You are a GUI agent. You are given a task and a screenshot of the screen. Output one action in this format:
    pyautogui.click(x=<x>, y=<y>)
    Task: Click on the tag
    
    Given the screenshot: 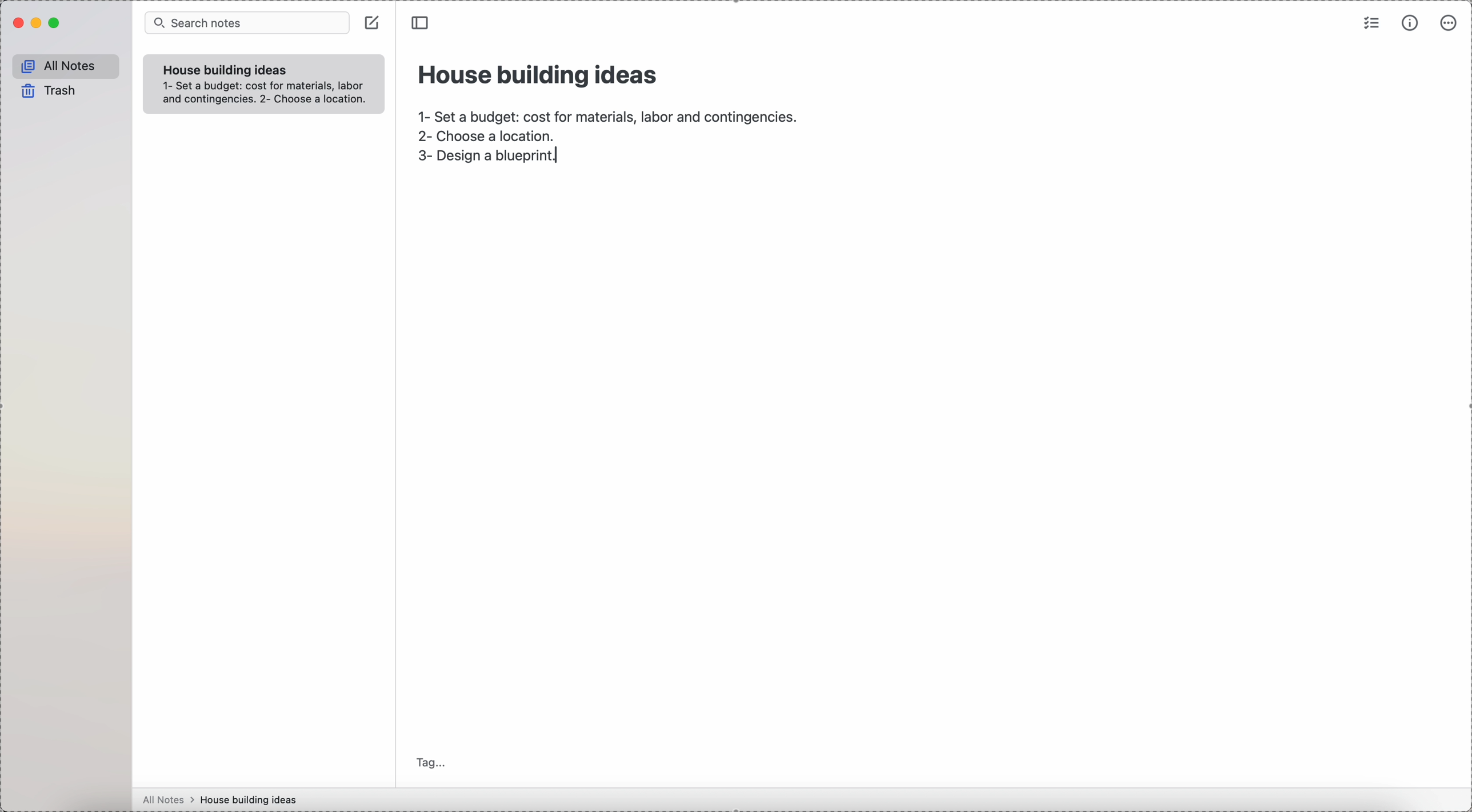 What is the action you would take?
    pyautogui.click(x=433, y=762)
    